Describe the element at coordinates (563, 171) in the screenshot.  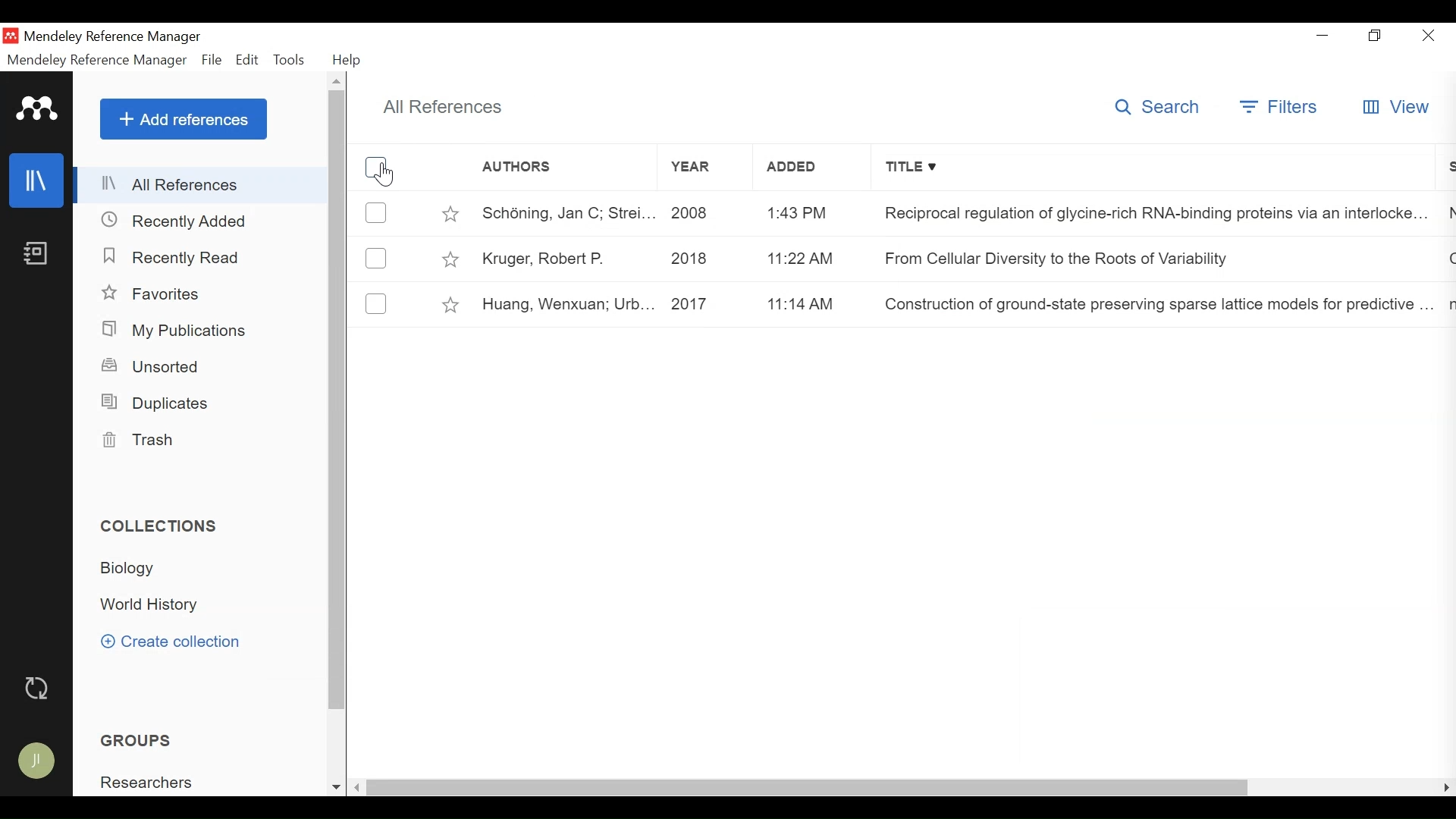
I see `Authors` at that location.